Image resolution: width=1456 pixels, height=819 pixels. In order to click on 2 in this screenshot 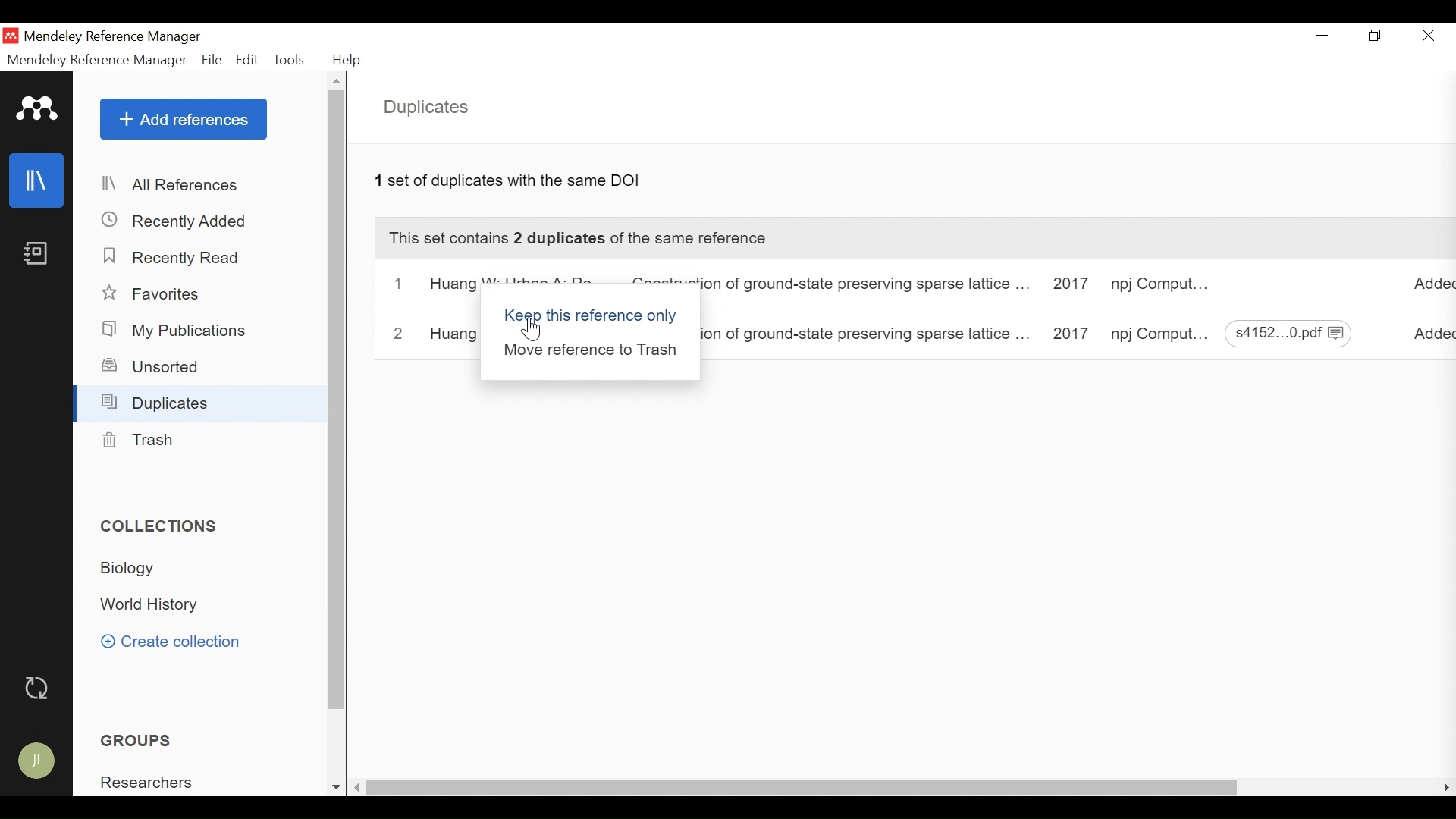, I will do `click(397, 334)`.